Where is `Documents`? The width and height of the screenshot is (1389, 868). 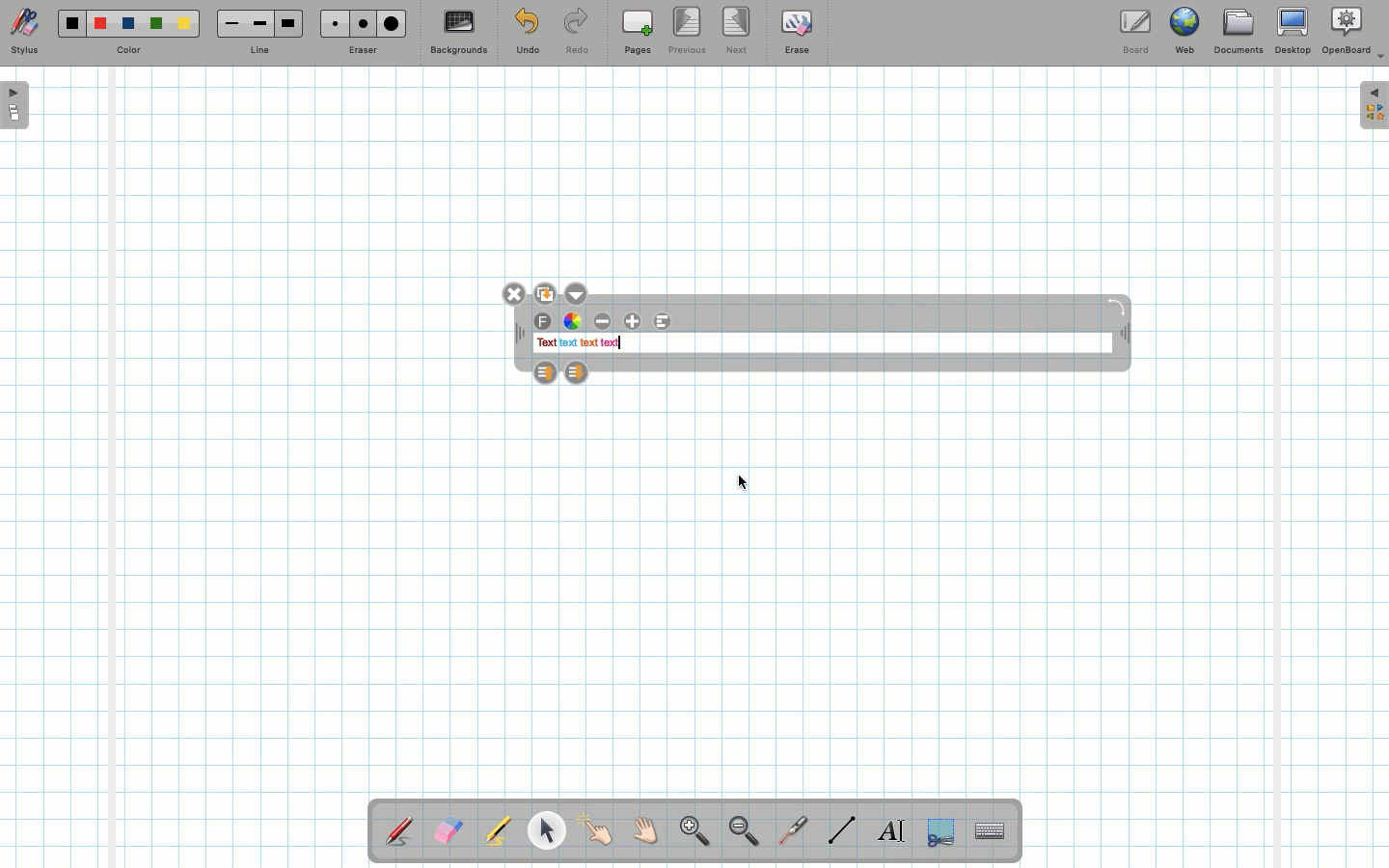
Documents is located at coordinates (1238, 34).